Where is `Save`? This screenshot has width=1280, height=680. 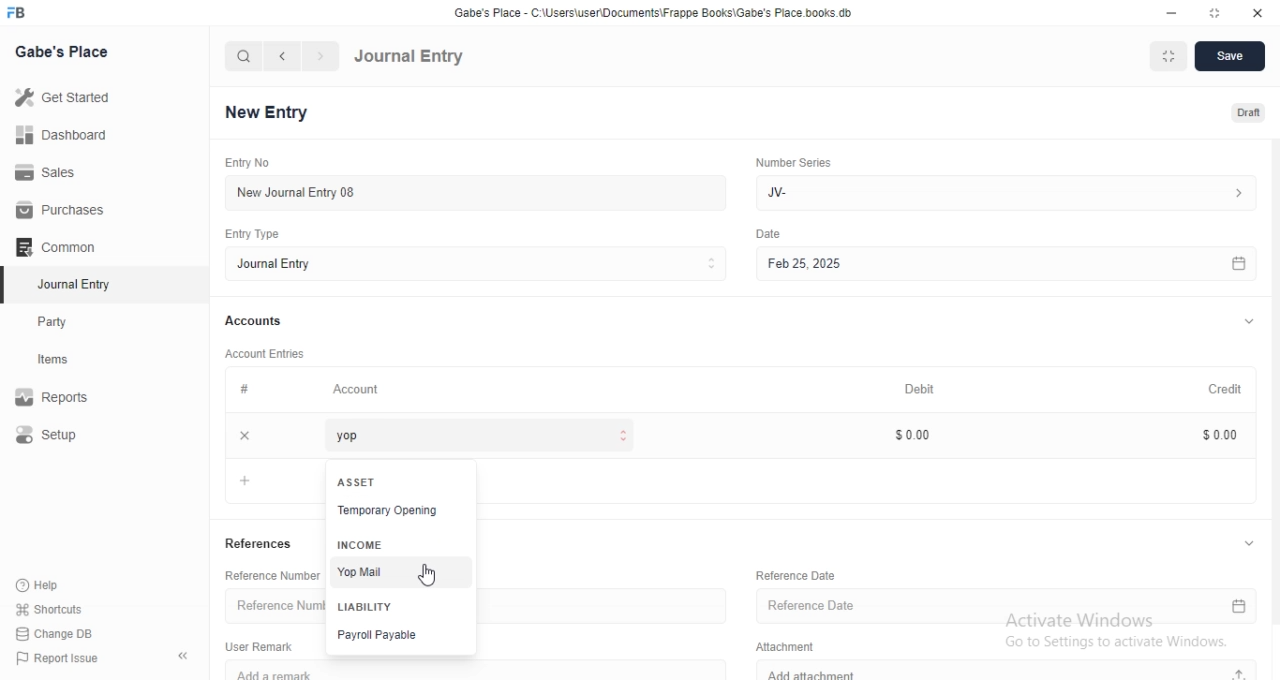 Save is located at coordinates (1231, 57).